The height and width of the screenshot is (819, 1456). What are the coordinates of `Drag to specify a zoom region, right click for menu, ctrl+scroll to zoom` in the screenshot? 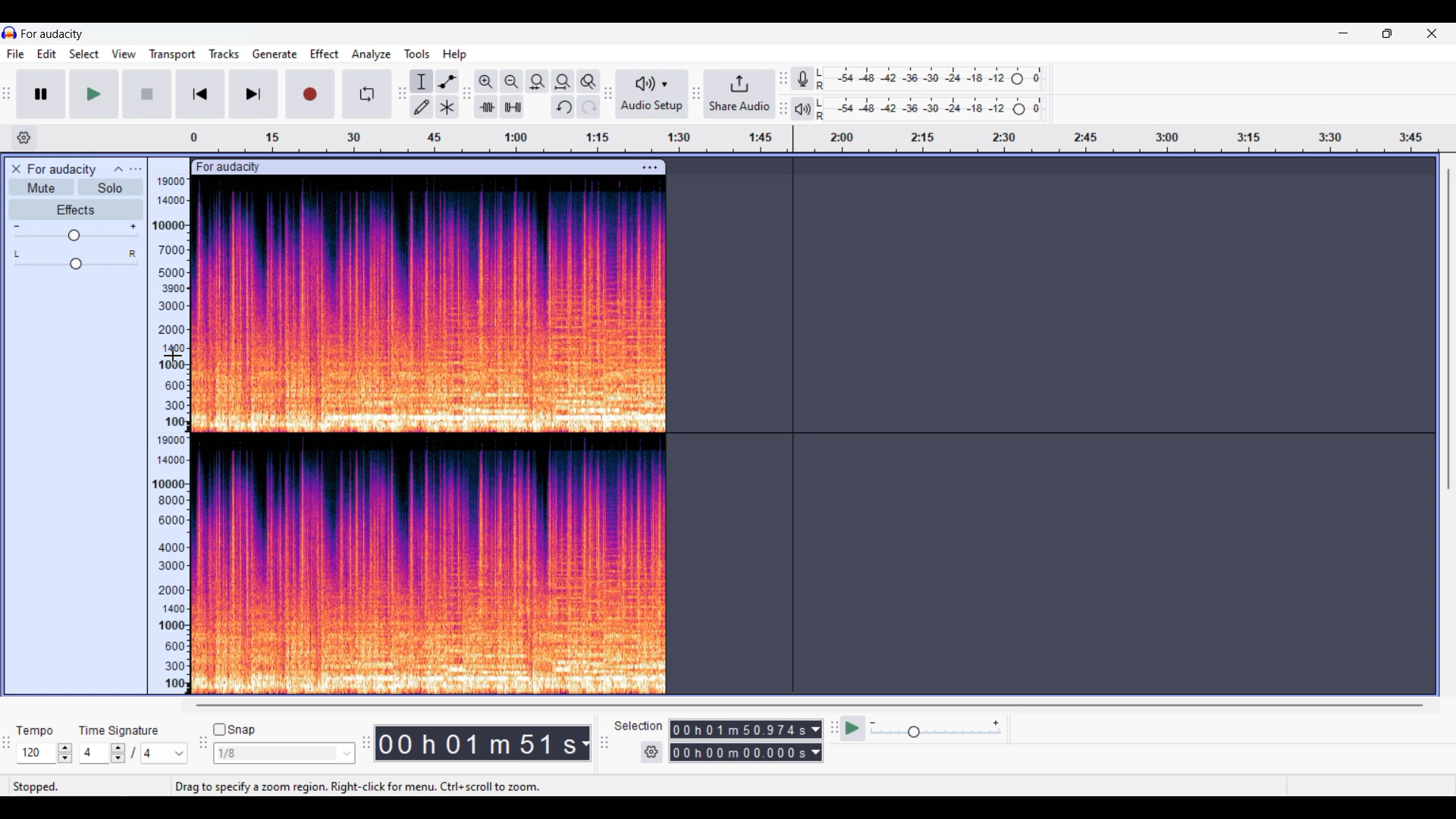 It's located at (359, 786).